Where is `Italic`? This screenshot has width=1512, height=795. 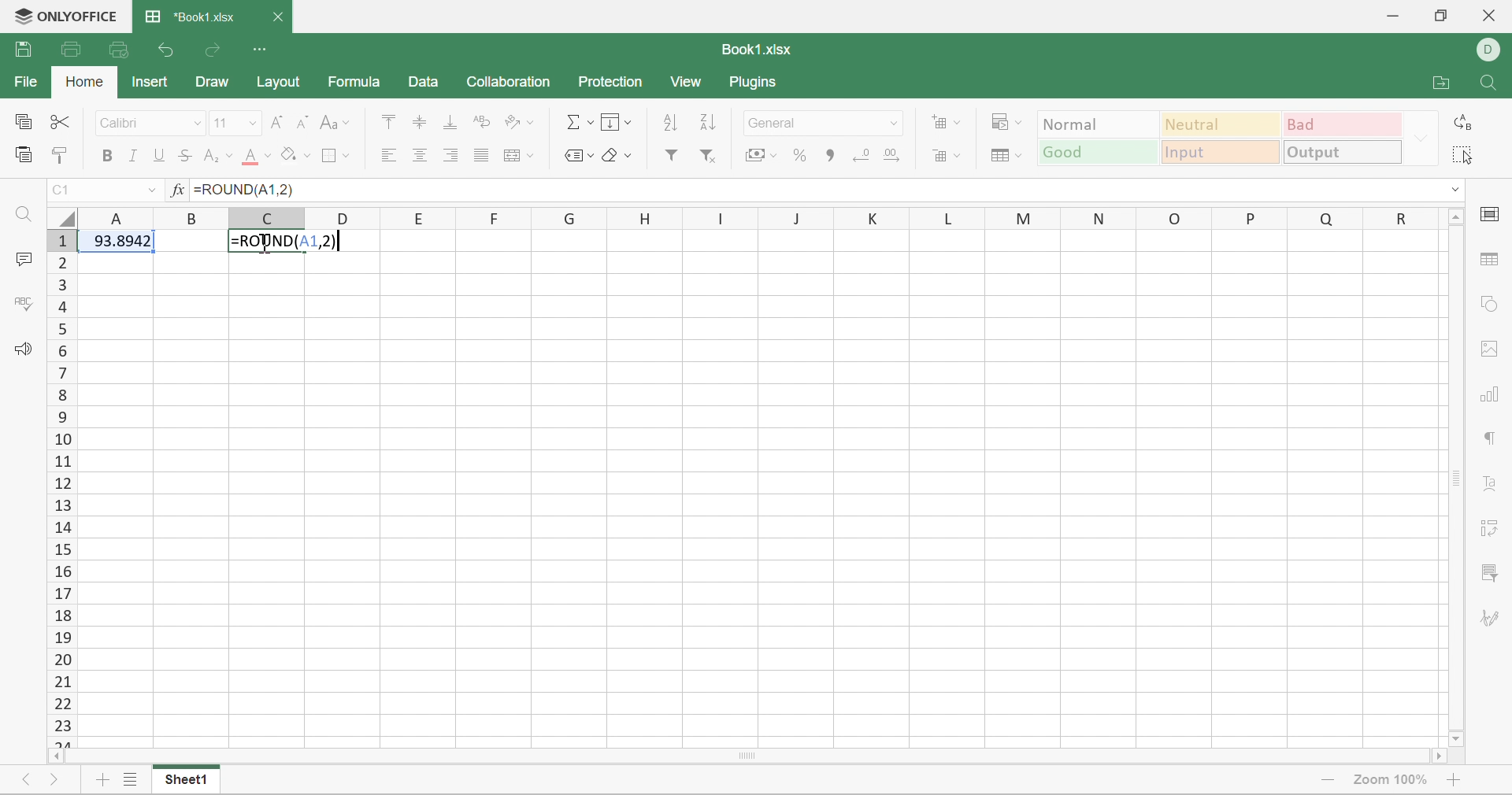 Italic is located at coordinates (133, 154).